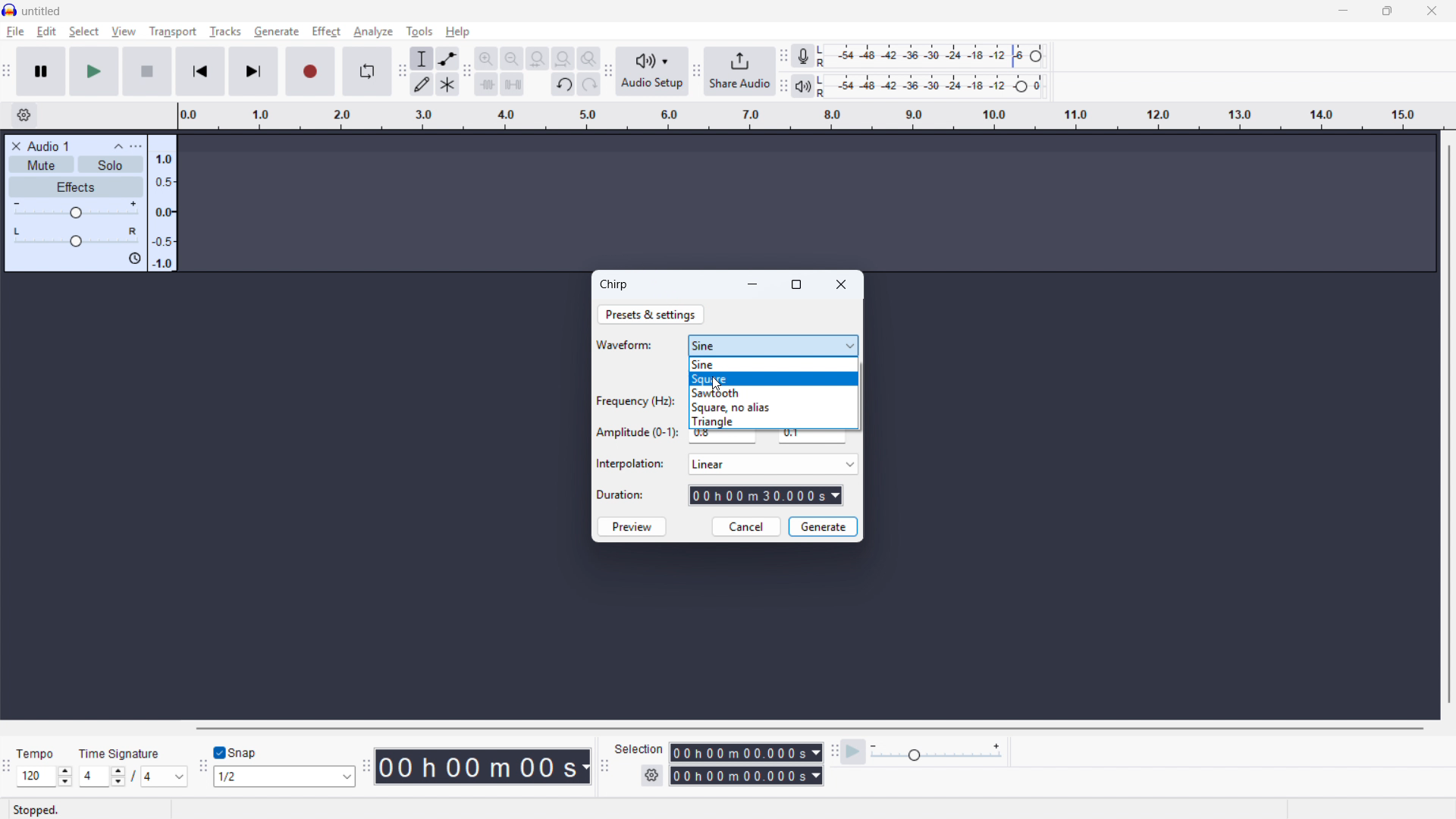  What do you see at coordinates (121, 753) in the screenshot?
I see `Time signature` at bounding box center [121, 753].